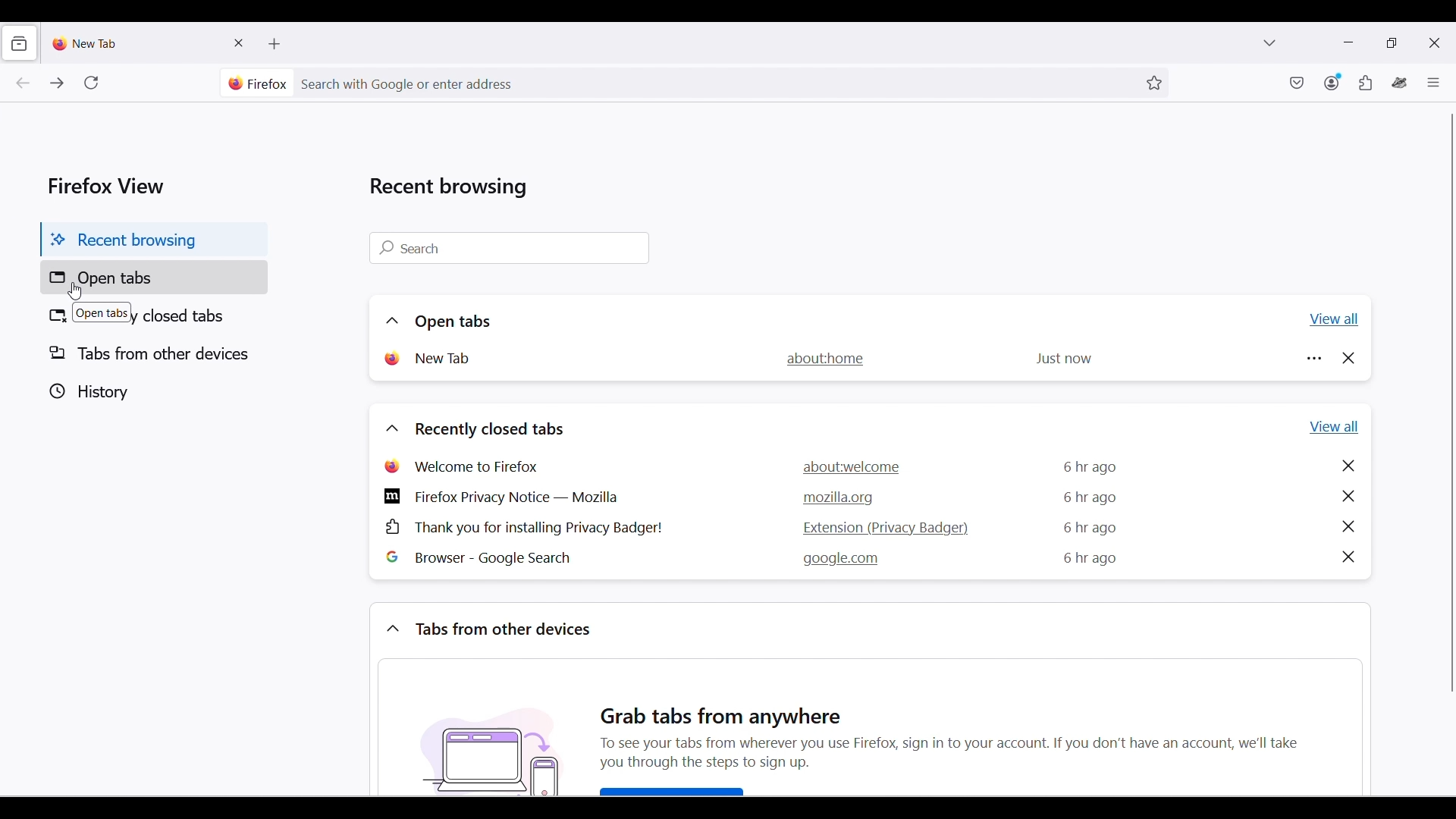  What do you see at coordinates (1451, 403) in the screenshot?
I see `Vertical slide bar` at bounding box center [1451, 403].